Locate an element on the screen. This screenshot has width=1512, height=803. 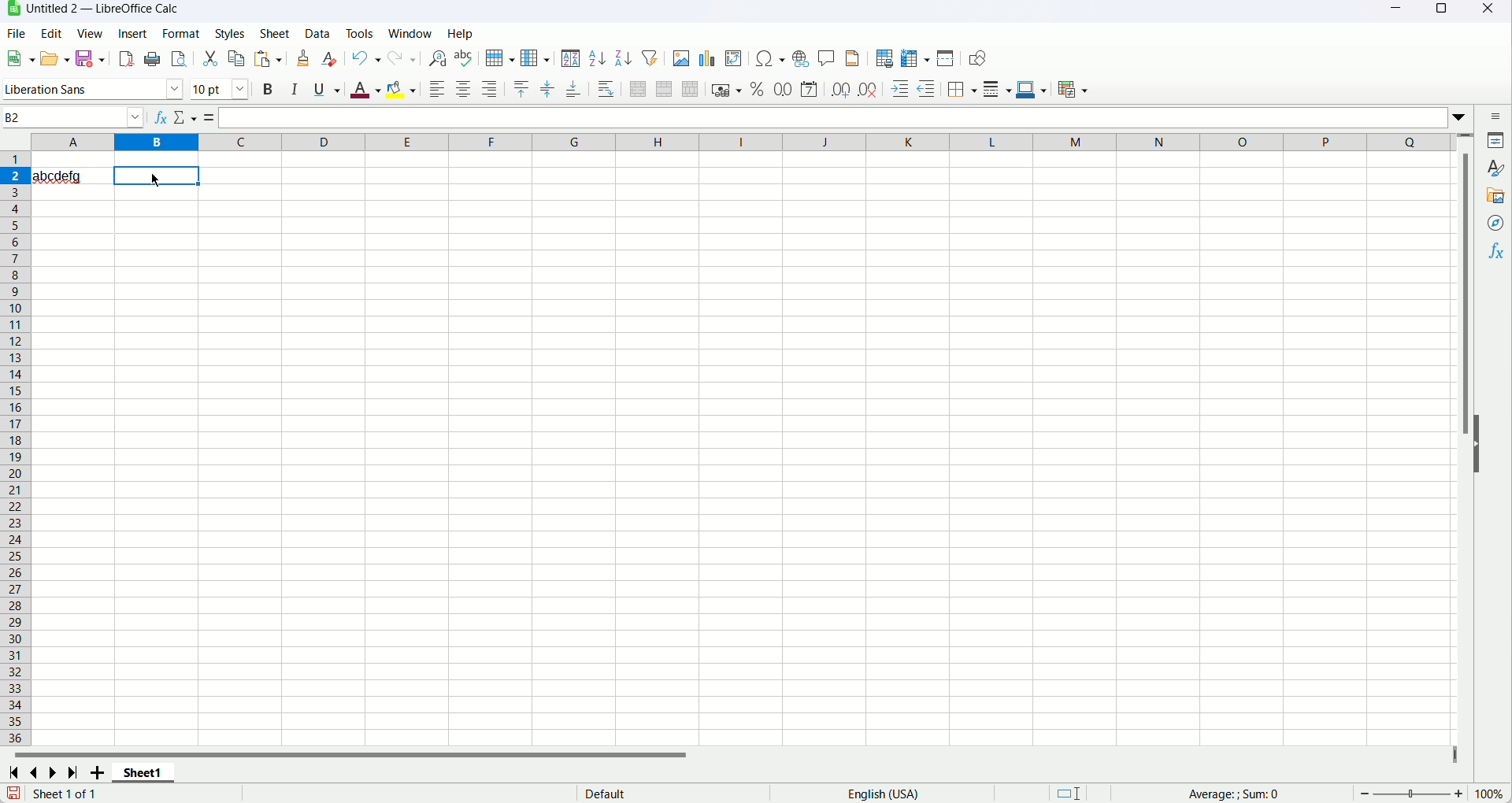
wrap text is located at coordinates (608, 91).